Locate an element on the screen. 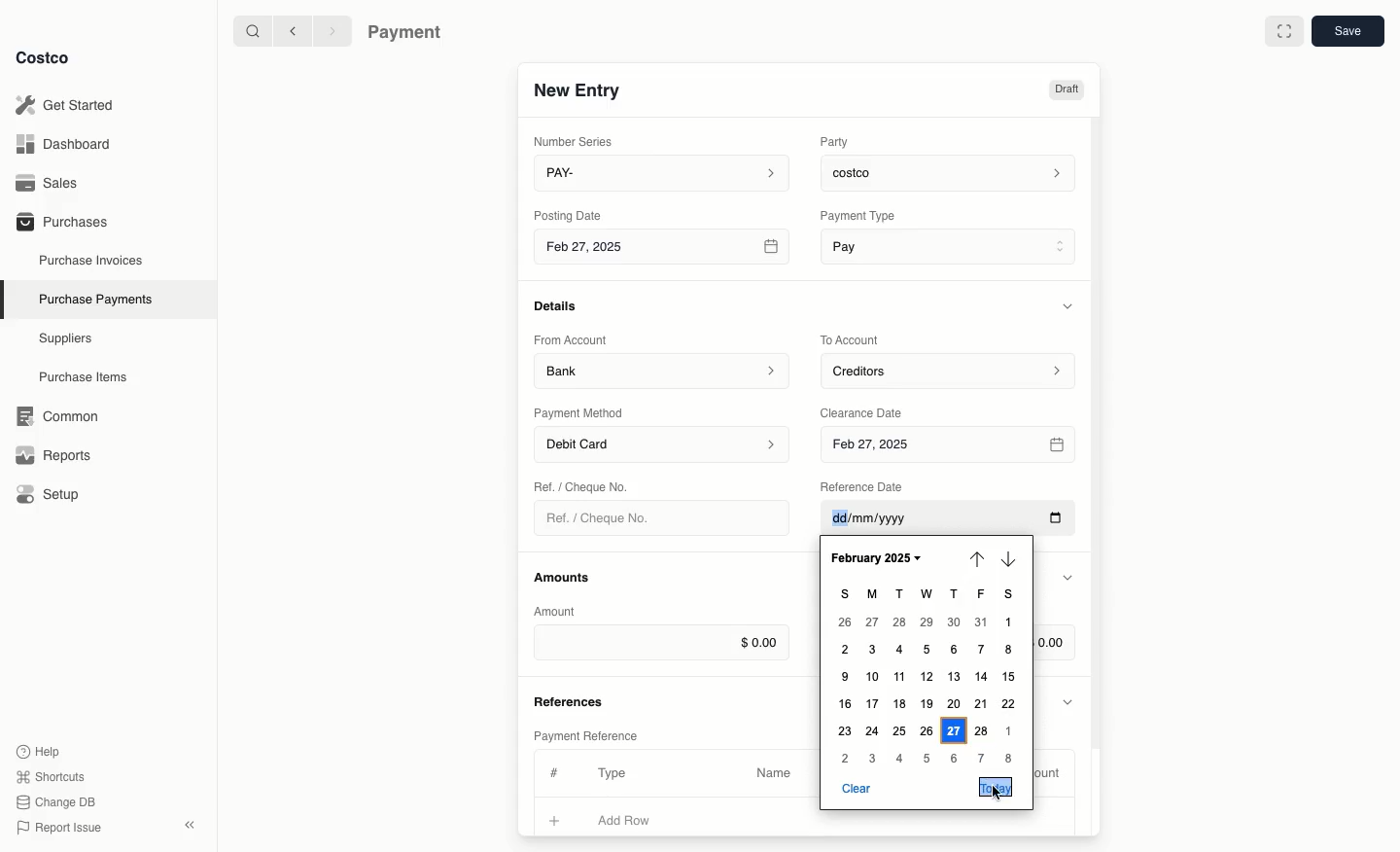  Reports is located at coordinates (51, 452).